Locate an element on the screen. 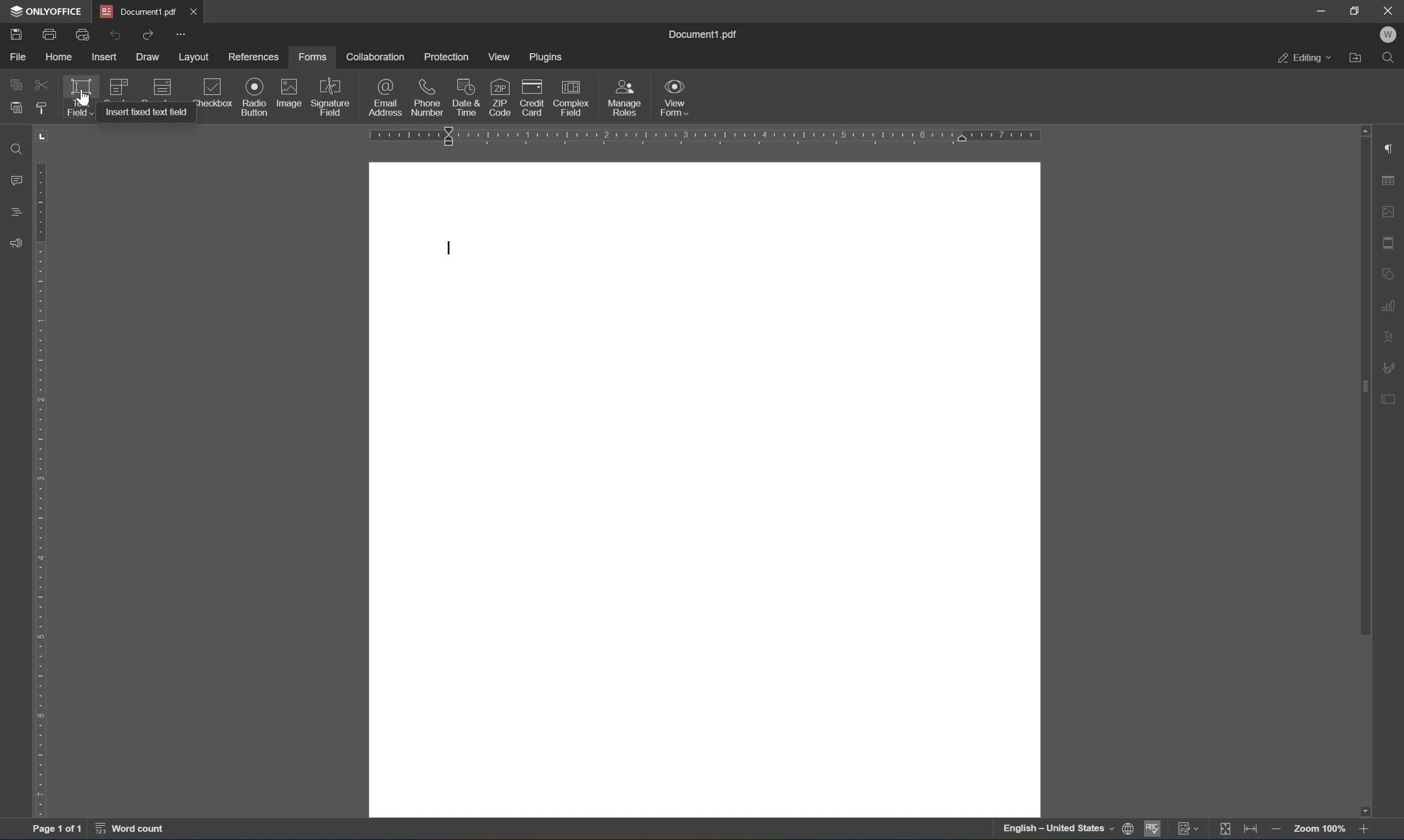 The width and height of the screenshot is (1404, 840). undo is located at coordinates (116, 36).